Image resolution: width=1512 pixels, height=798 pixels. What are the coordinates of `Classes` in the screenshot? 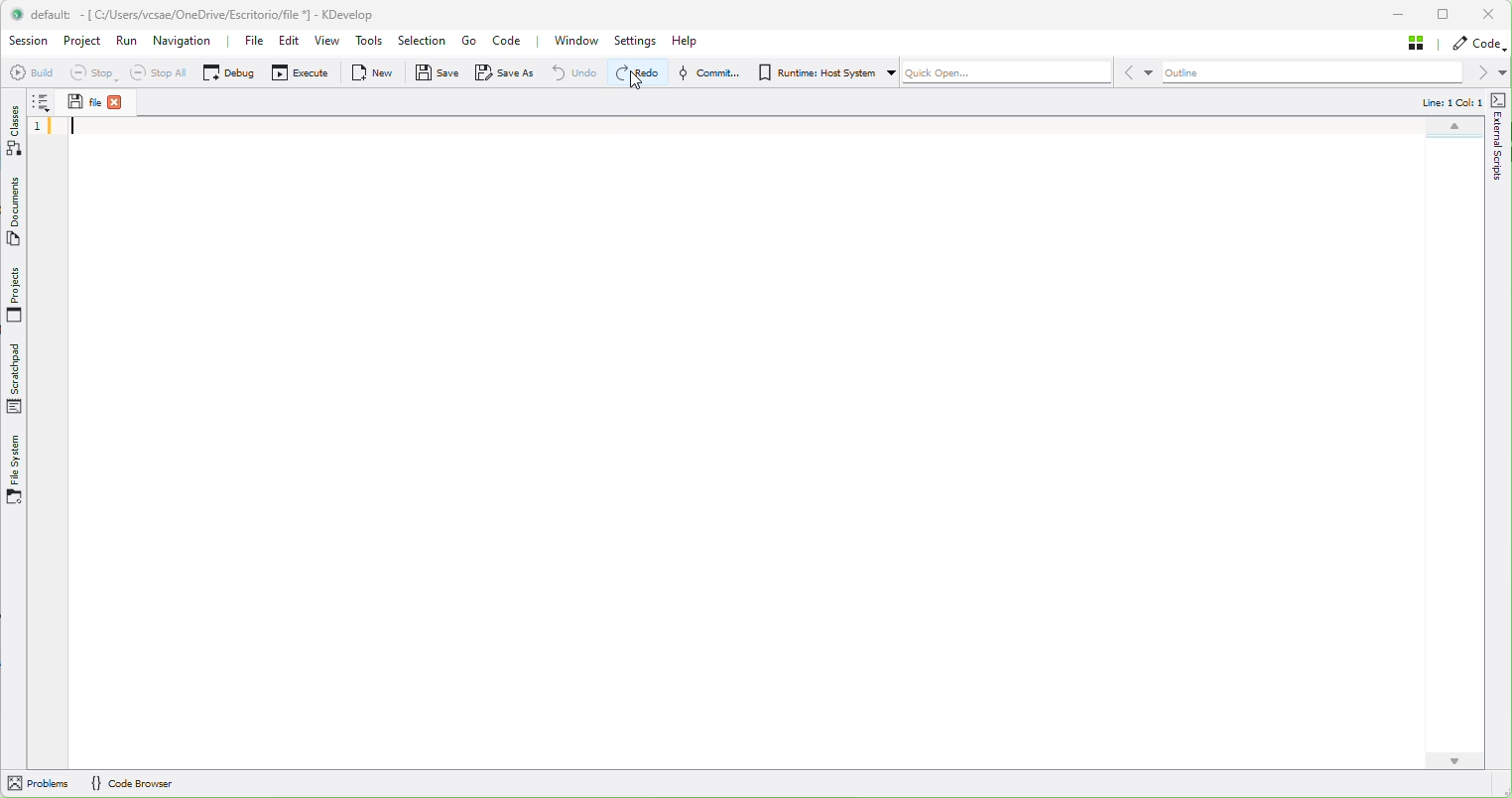 It's located at (17, 131).